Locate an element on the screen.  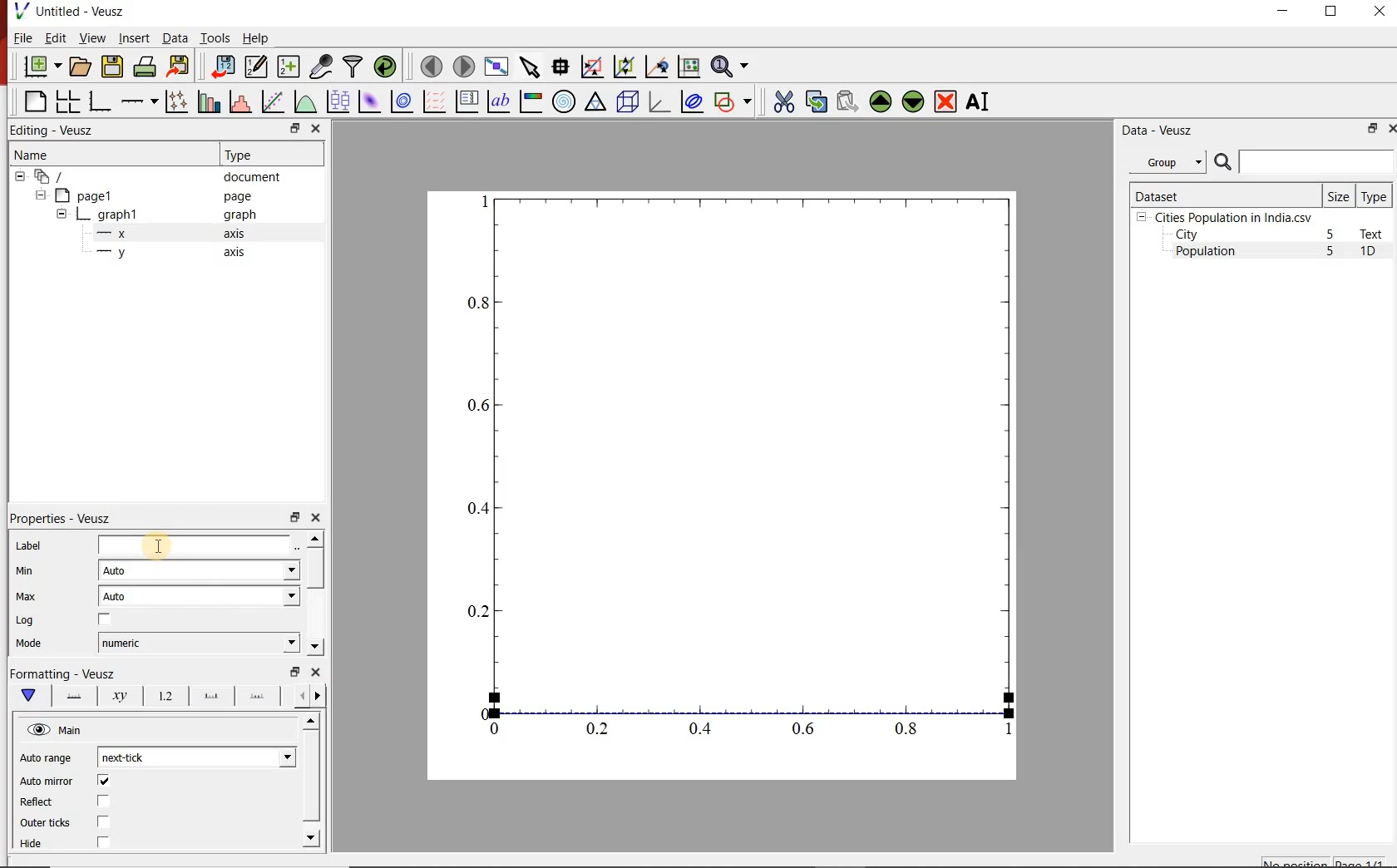
Label is located at coordinates (27, 545).